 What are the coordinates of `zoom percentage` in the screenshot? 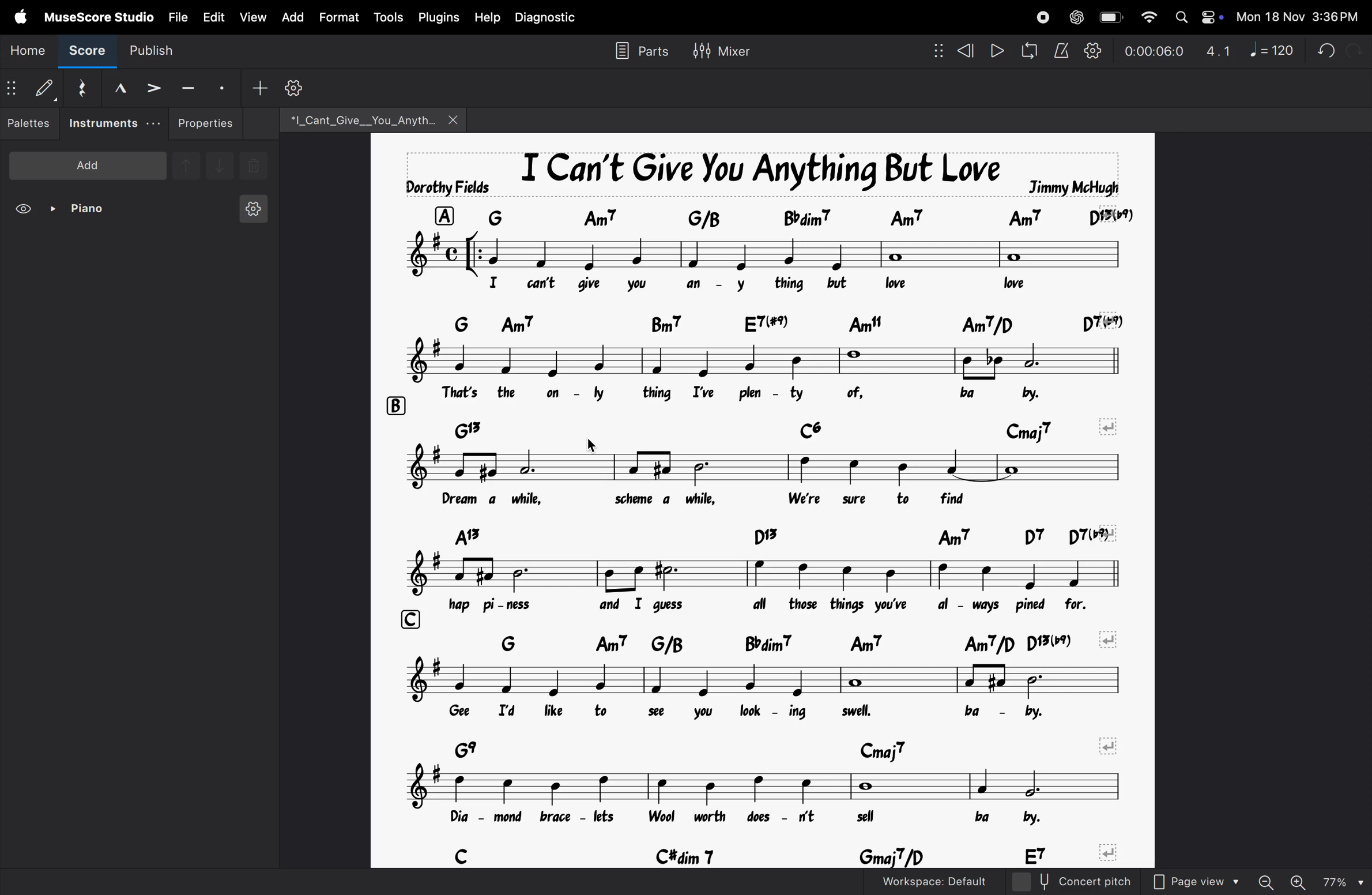 It's located at (1344, 882).